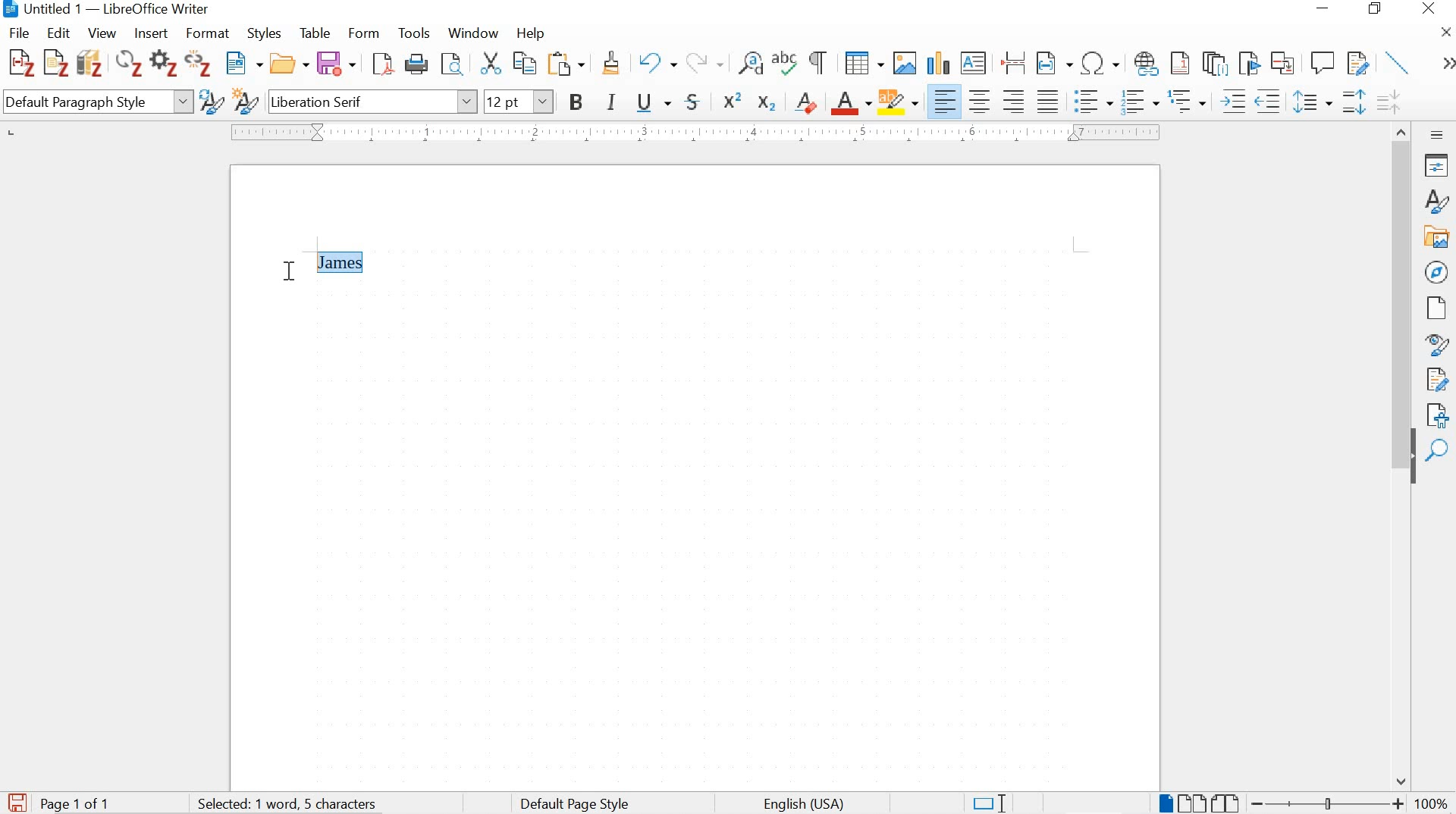 The width and height of the screenshot is (1456, 814). What do you see at coordinates (101, 33) in the screenshot?
I see `view` at bounding box center [101, 33].